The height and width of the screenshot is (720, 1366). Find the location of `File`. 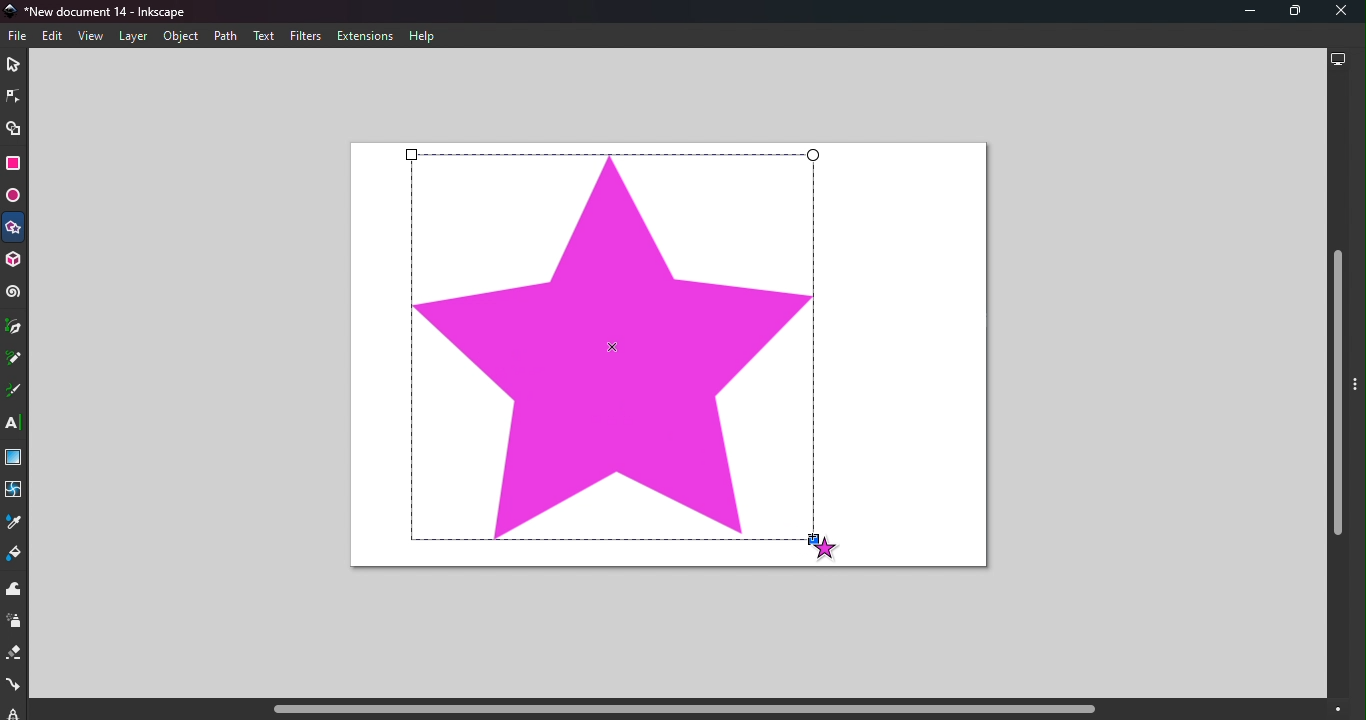

File is located at coordinates (21, 36).